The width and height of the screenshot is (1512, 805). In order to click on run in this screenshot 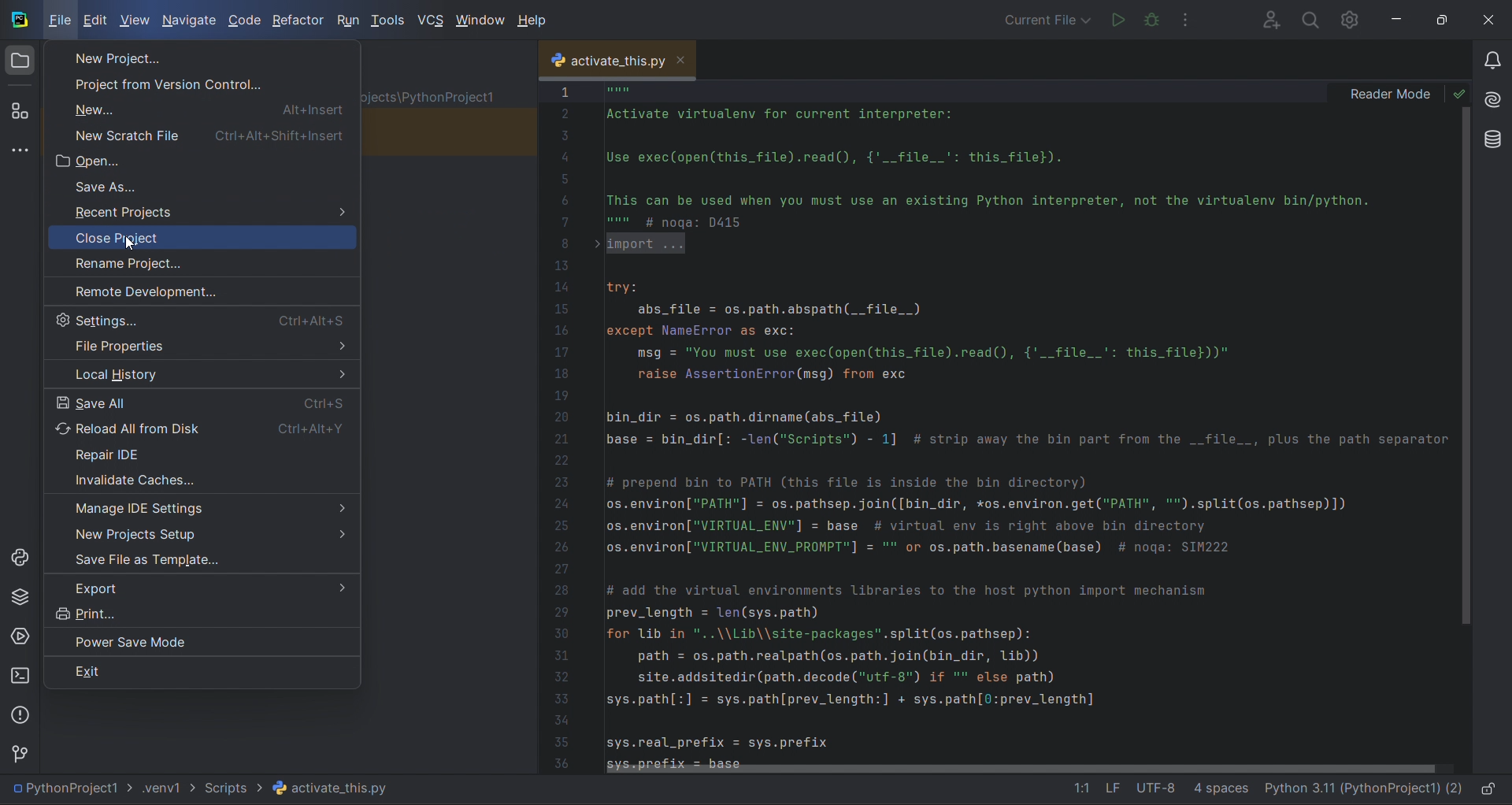, I will do `click(343, 20)`.